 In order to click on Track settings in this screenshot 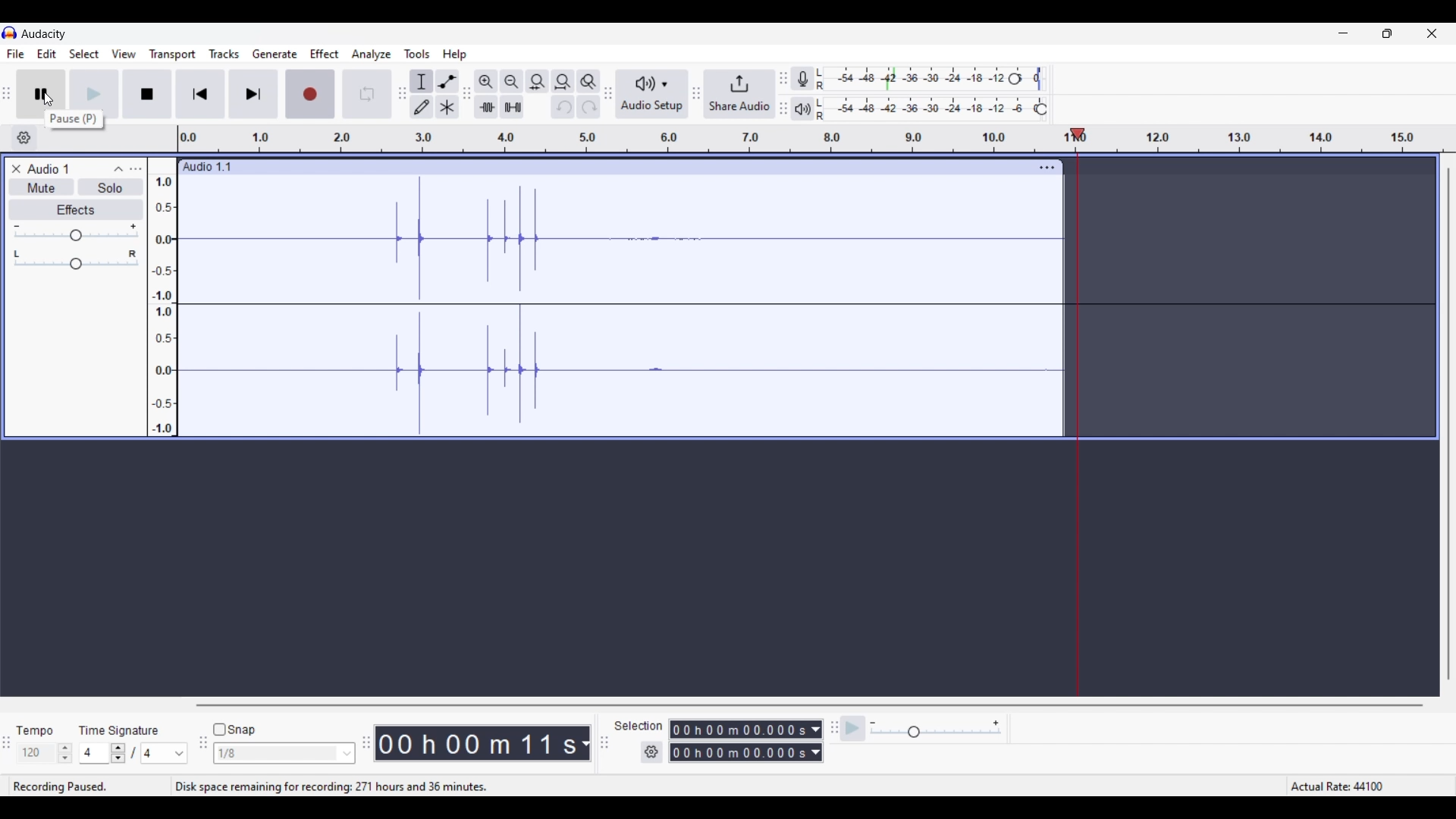, I will do `click(998, 168)`.